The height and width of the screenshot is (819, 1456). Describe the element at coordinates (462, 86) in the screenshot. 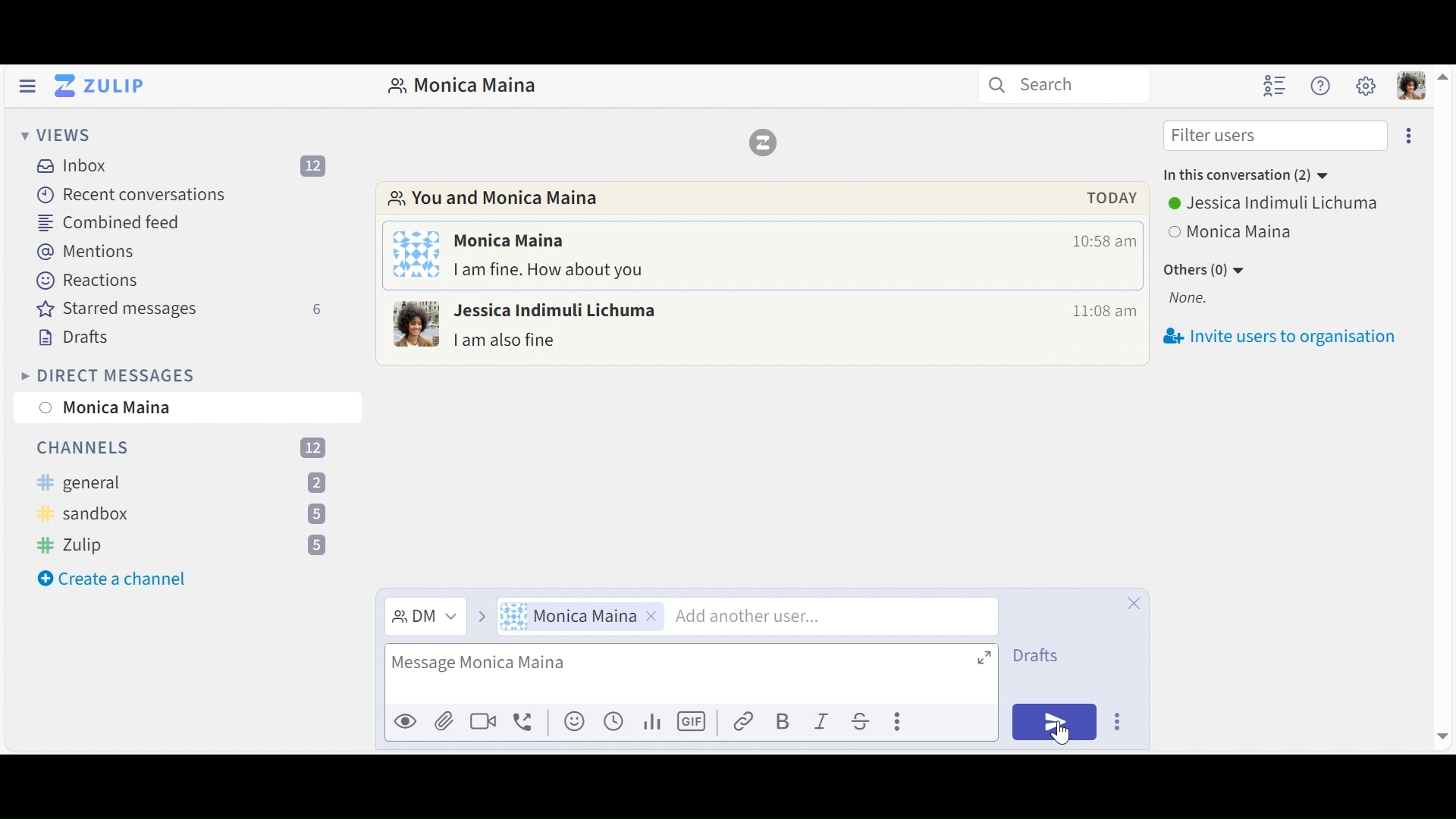

I see `Direct Messages with user` at that location.